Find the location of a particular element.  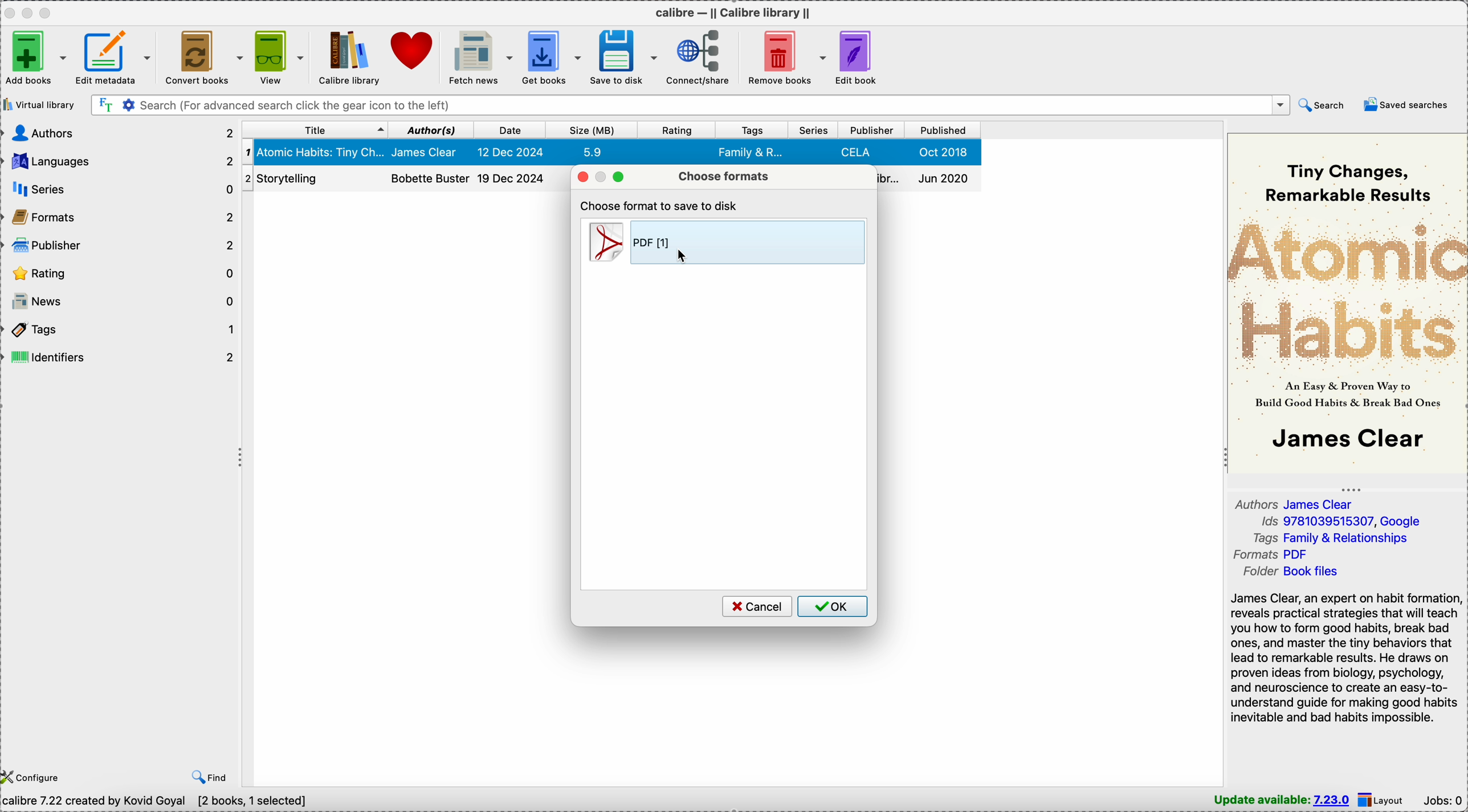

find is located at coordinates (212, 777).